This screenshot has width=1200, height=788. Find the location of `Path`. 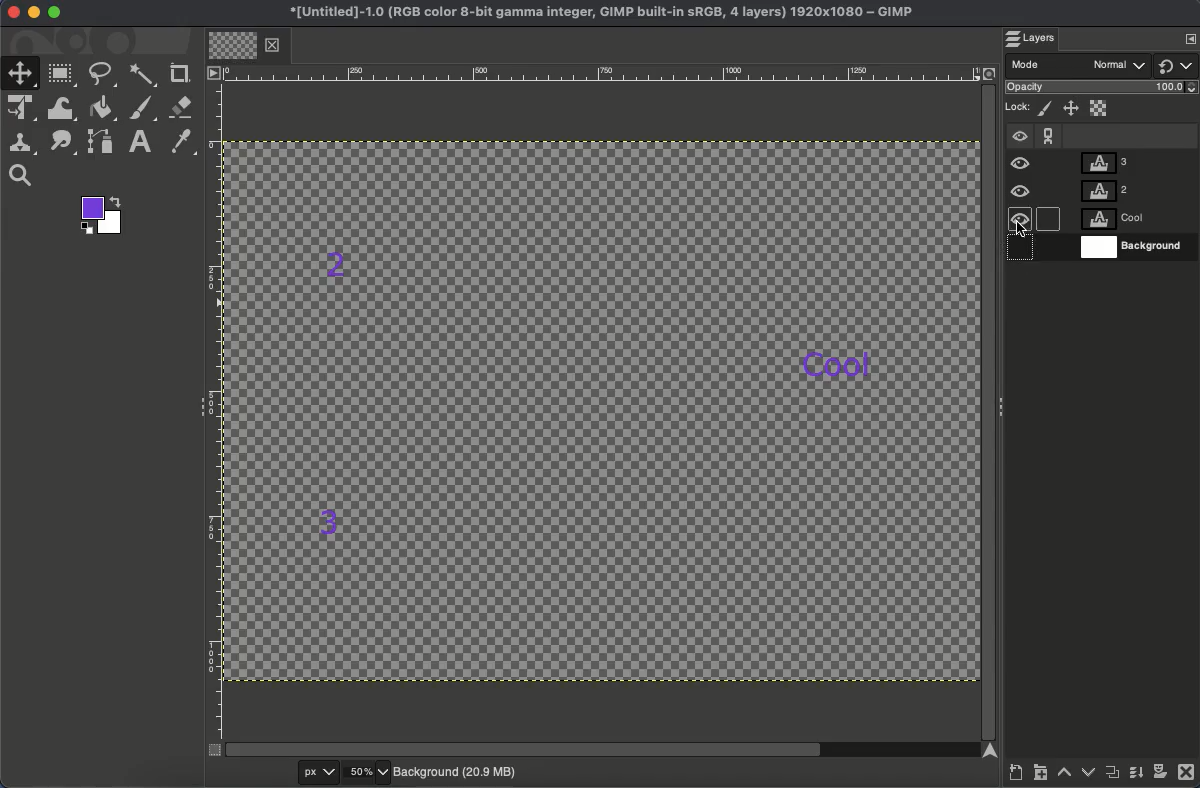

Path is located at coordinates (103, 145).